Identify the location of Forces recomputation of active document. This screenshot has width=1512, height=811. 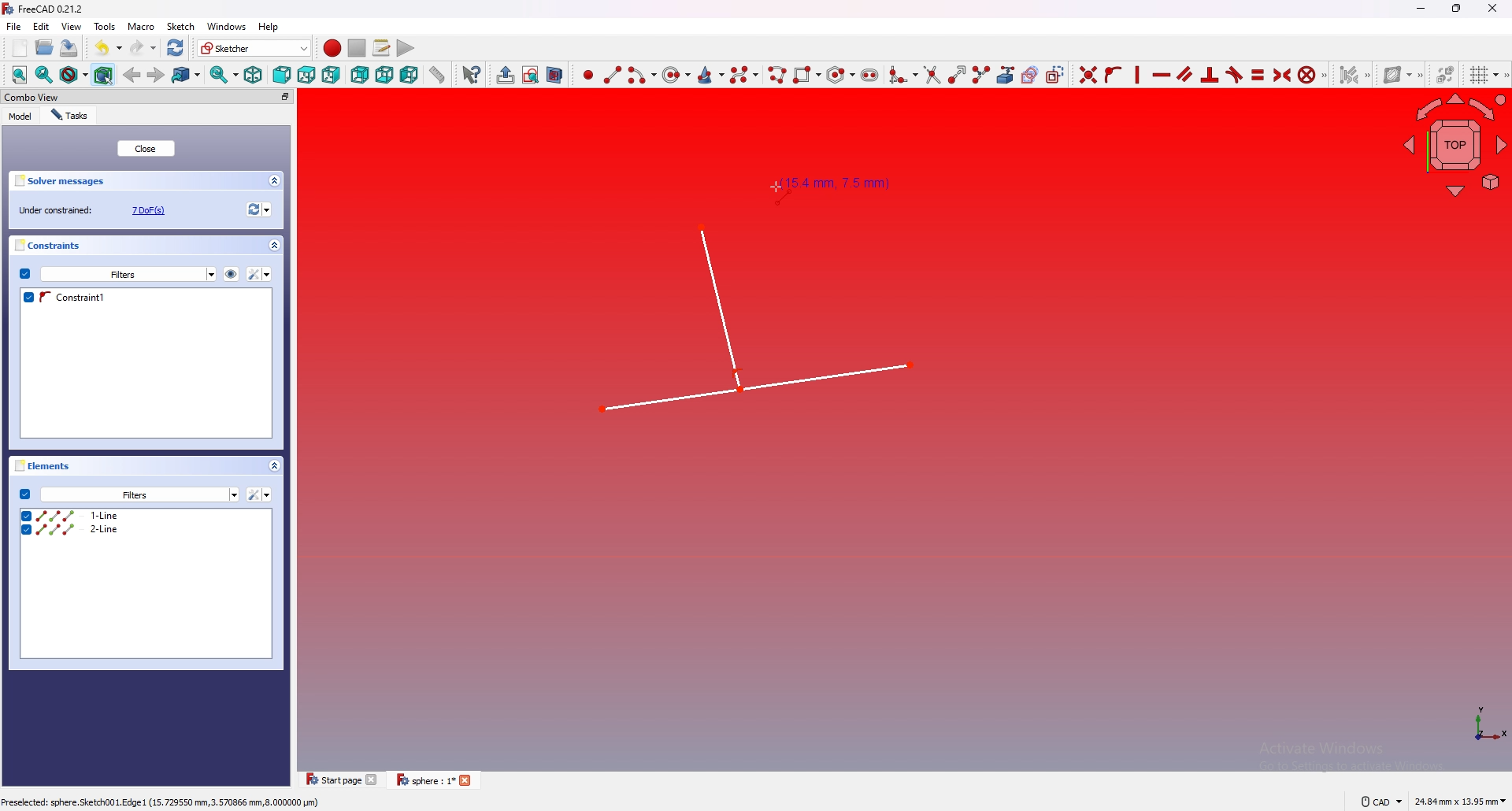
(257, 211).